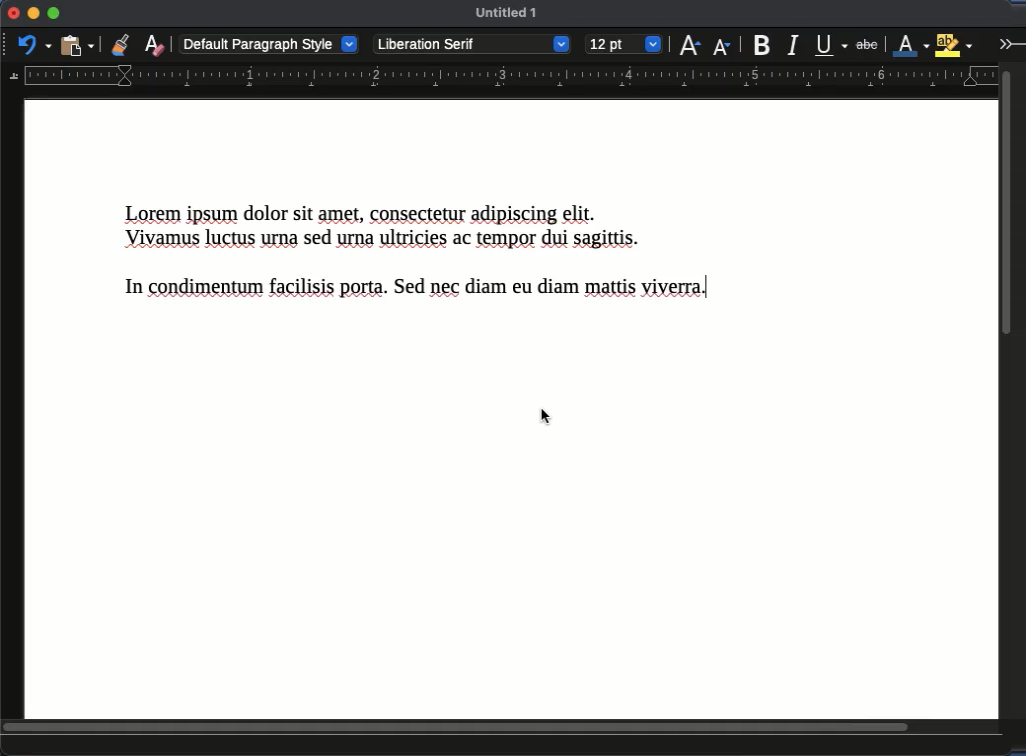 The height and width of the screenshot is (756, 1026). What do you see at coordinates (867, 45) in the screenshot?
I see `strikethrough` at bounding box center [867, 45].